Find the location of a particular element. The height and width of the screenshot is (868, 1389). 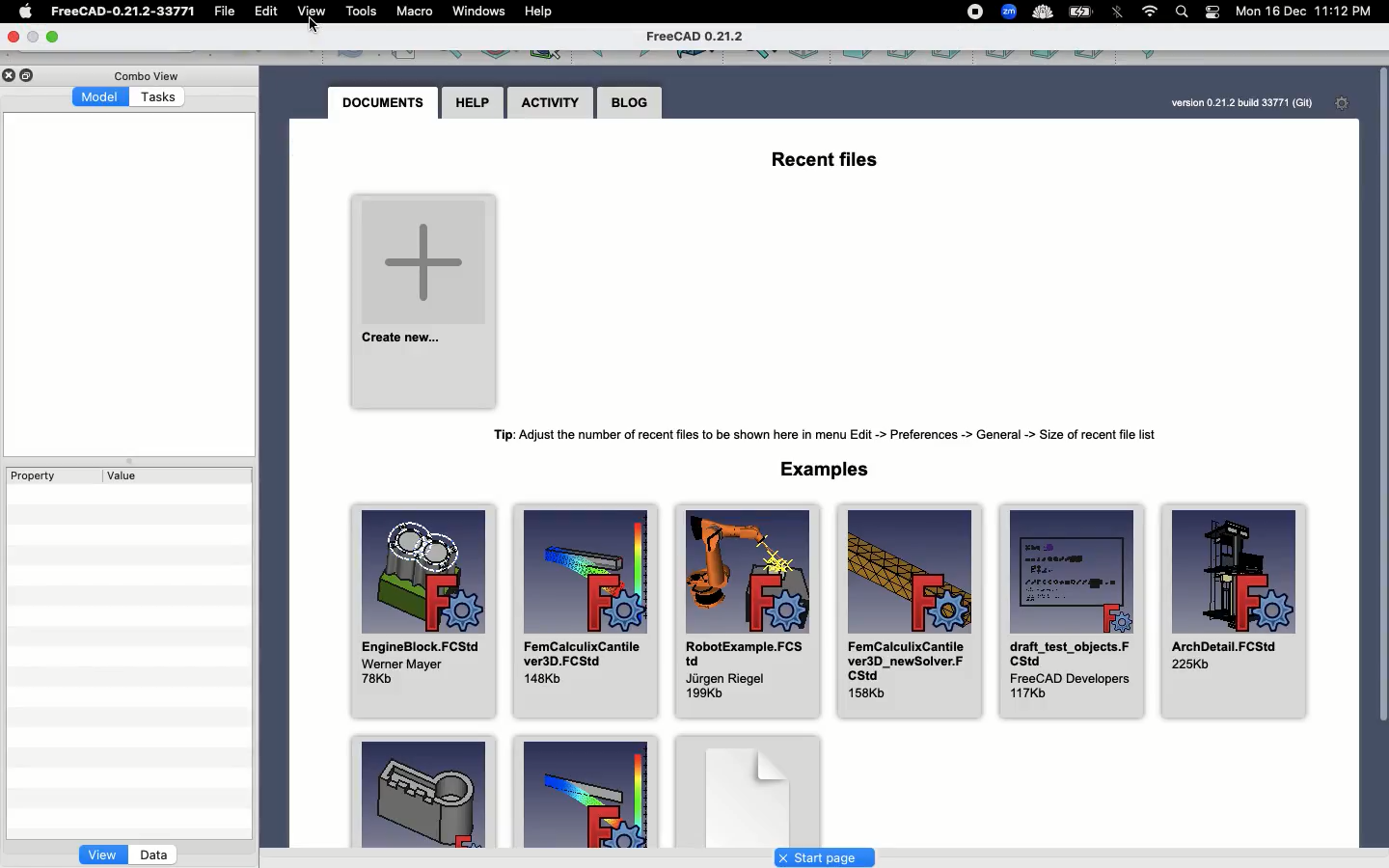

ArchDetail FCStd225Kb is located at coordinates (1233, 614).